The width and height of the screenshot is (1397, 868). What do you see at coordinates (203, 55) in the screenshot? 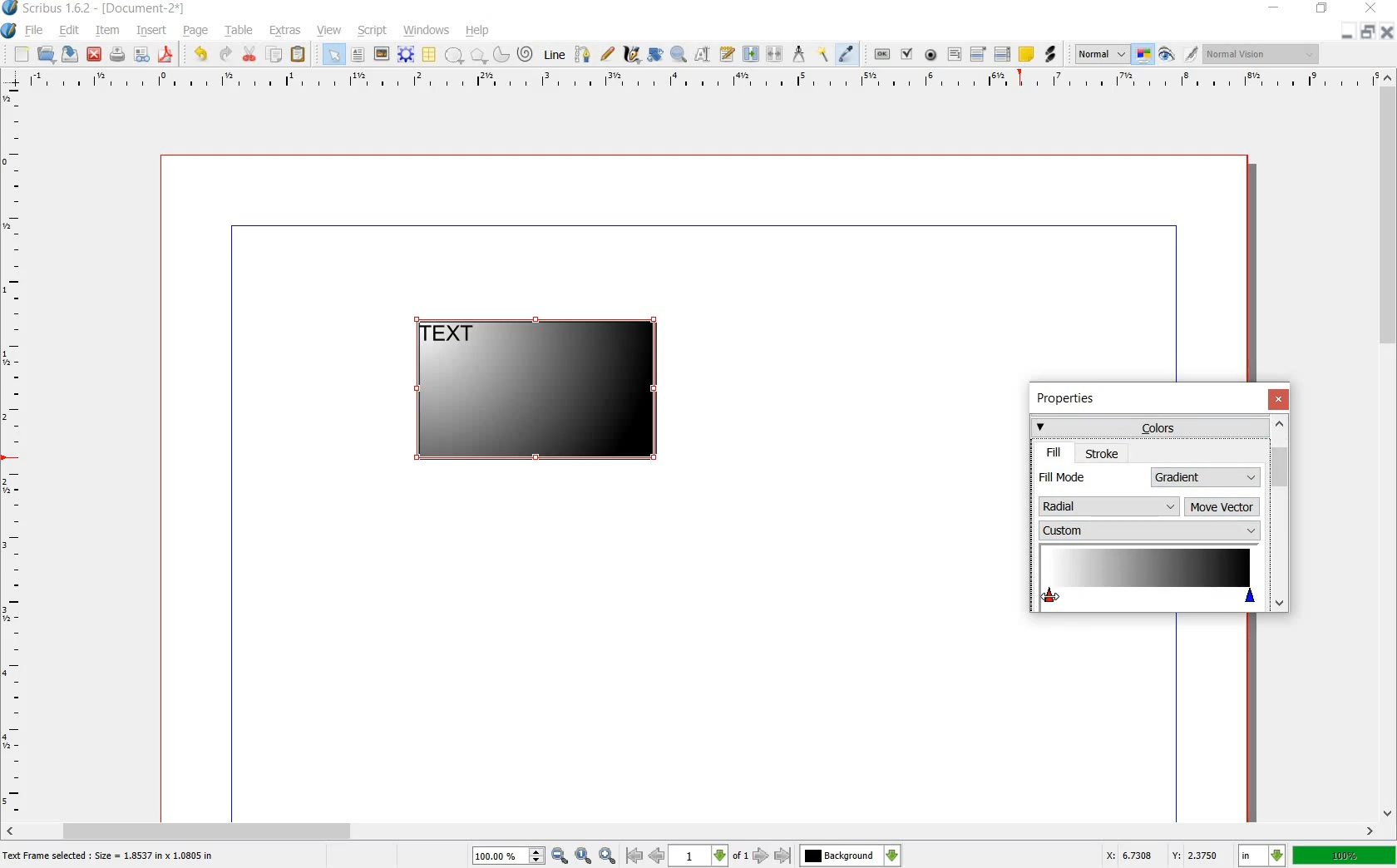
I see `undo` at bounding box center [203, 55].